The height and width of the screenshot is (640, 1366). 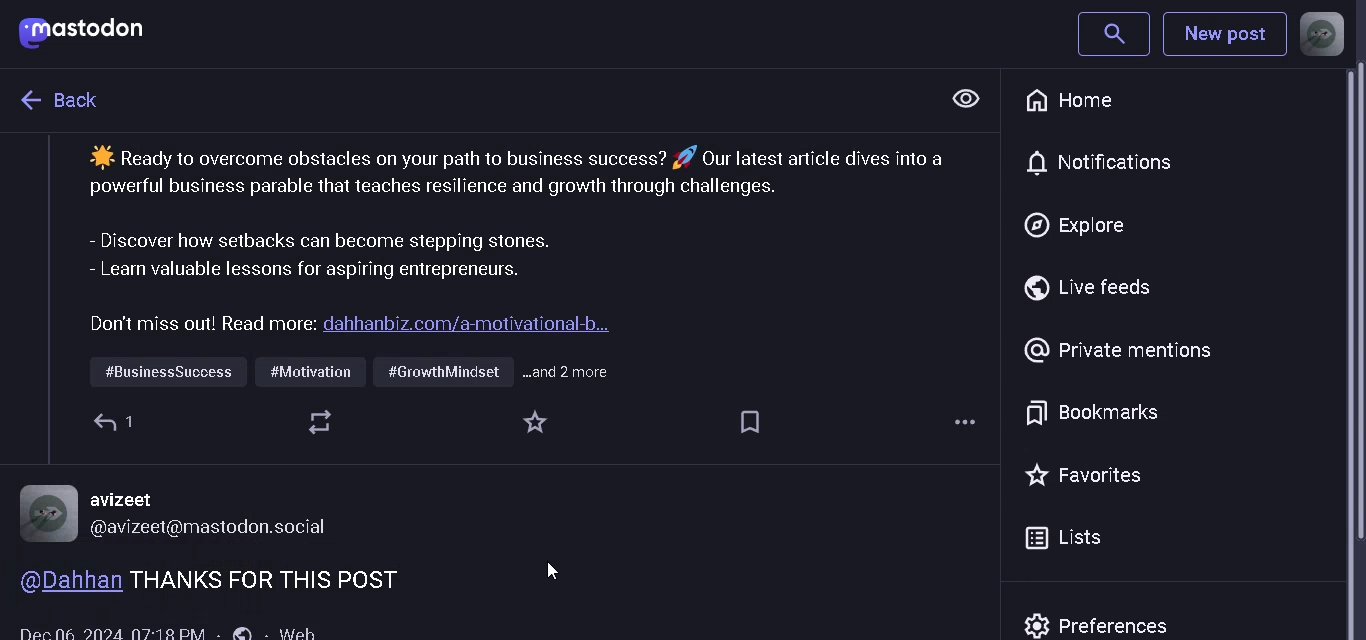 What do you see at coordinates (577, 373) in the screenshot?
I see `.. and 2 more` at bounding box center [577, 373].